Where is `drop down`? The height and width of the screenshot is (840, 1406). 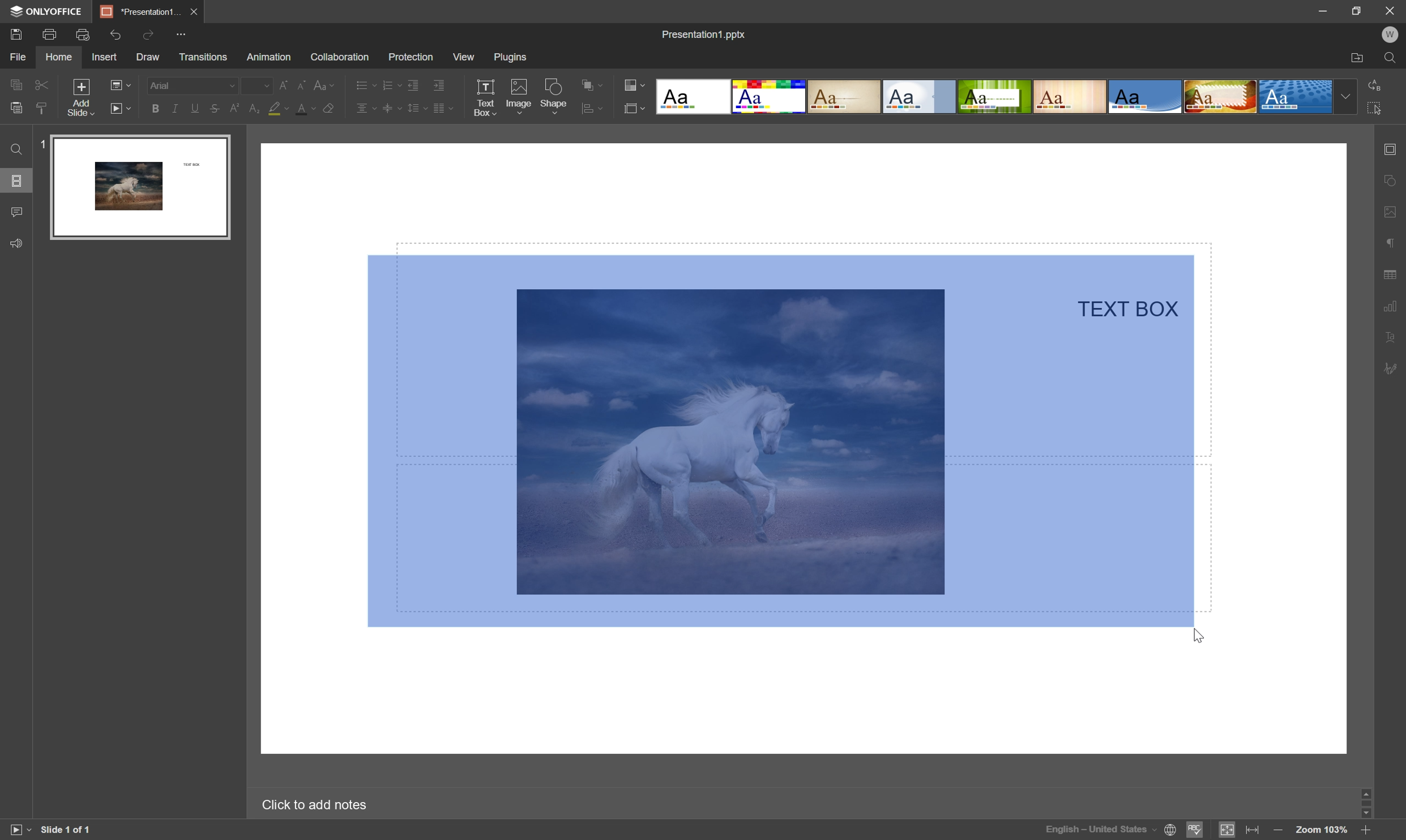 drop down is located at coordinates (1347, 97).